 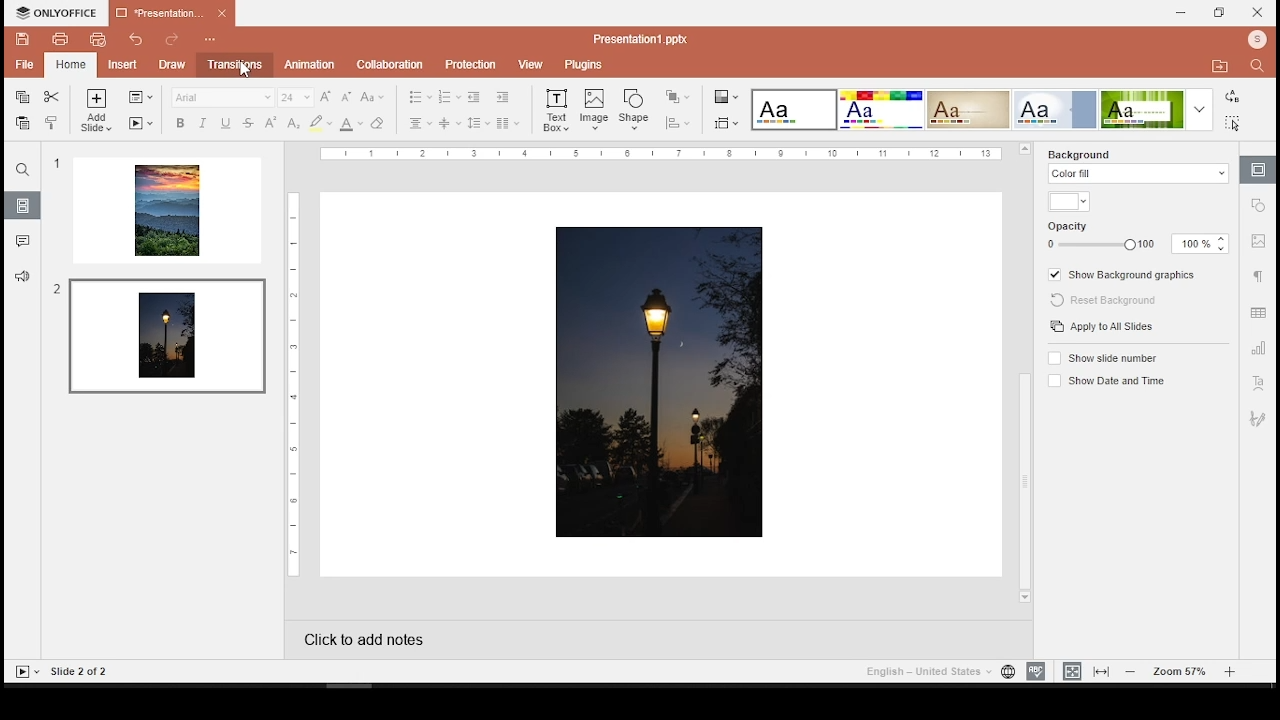 I want to click on bold, so click(x=180, y=123).